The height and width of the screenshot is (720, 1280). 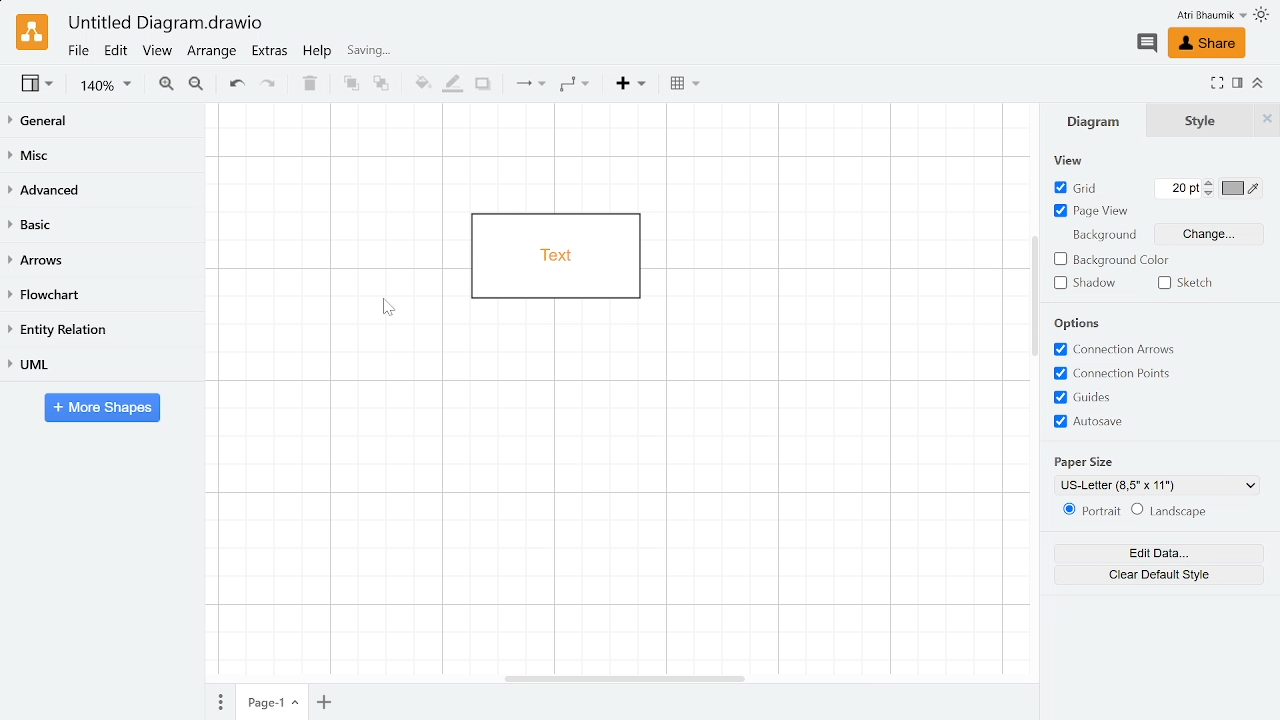 What do you see at coordinates (1035, 299) in the screenshot?
I see `Vertical scrollbar` at bounding box center [1035, 299].